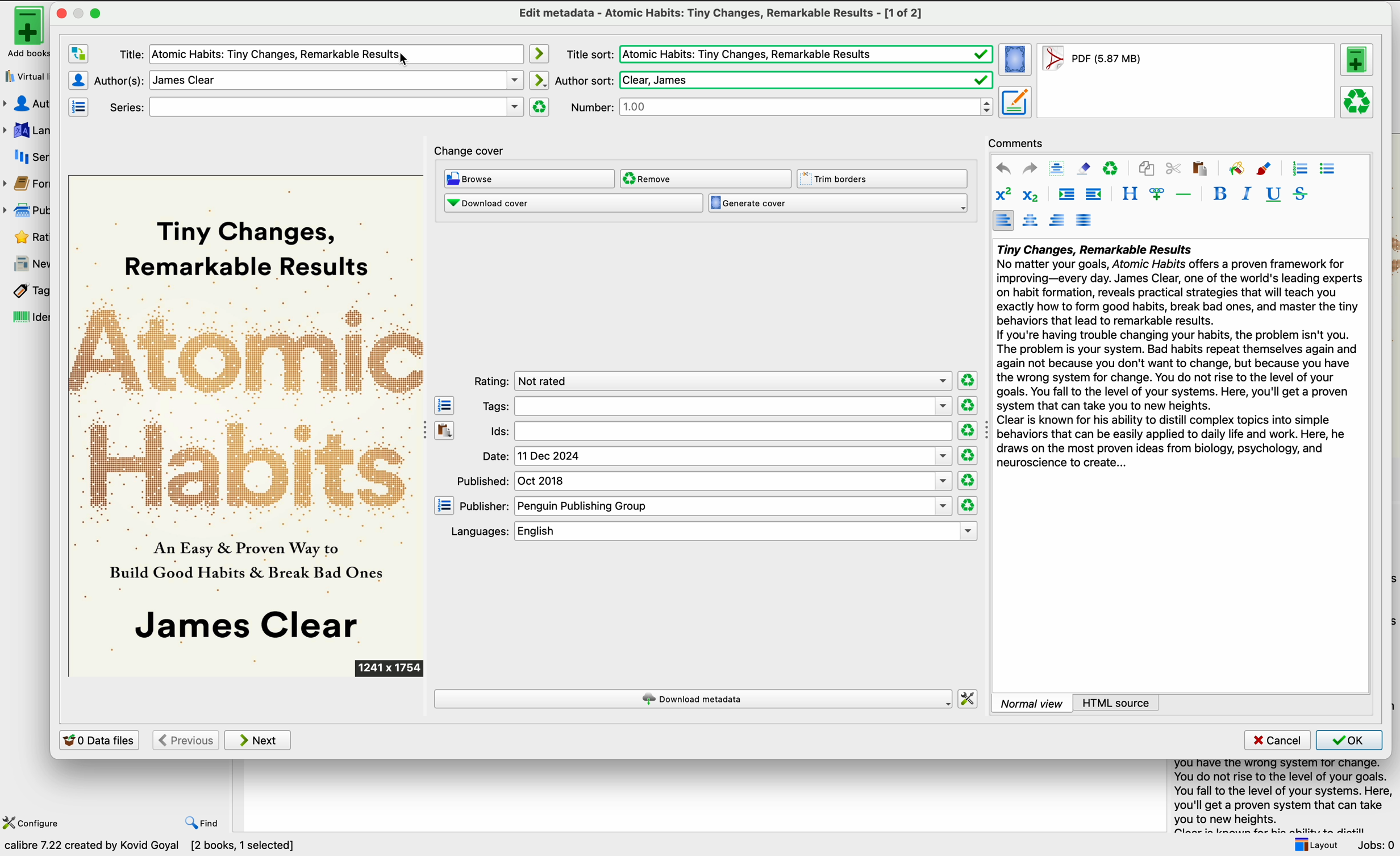 The height and width of the screenshot is (856, 1400). I want to click on change how calibre downloads metadata, so click(969, 698).